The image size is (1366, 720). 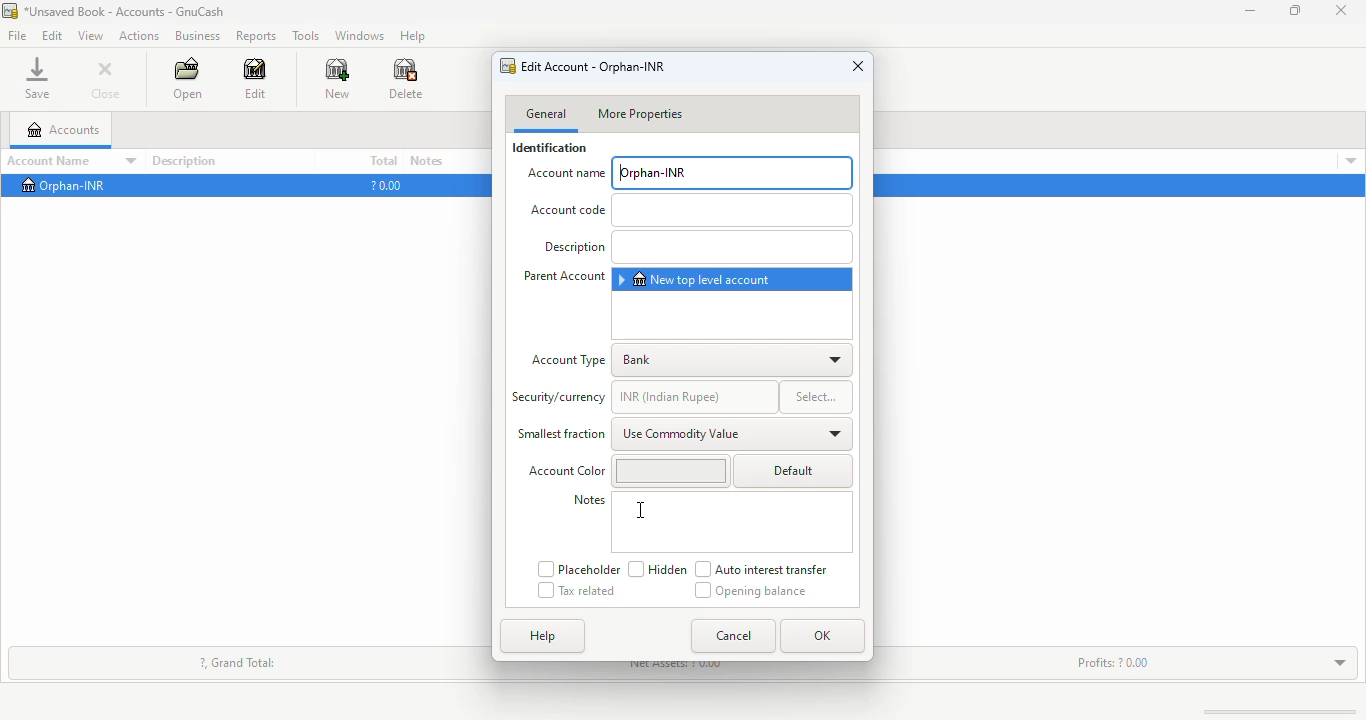 I want to click on notes, so click(x=590, y=500).